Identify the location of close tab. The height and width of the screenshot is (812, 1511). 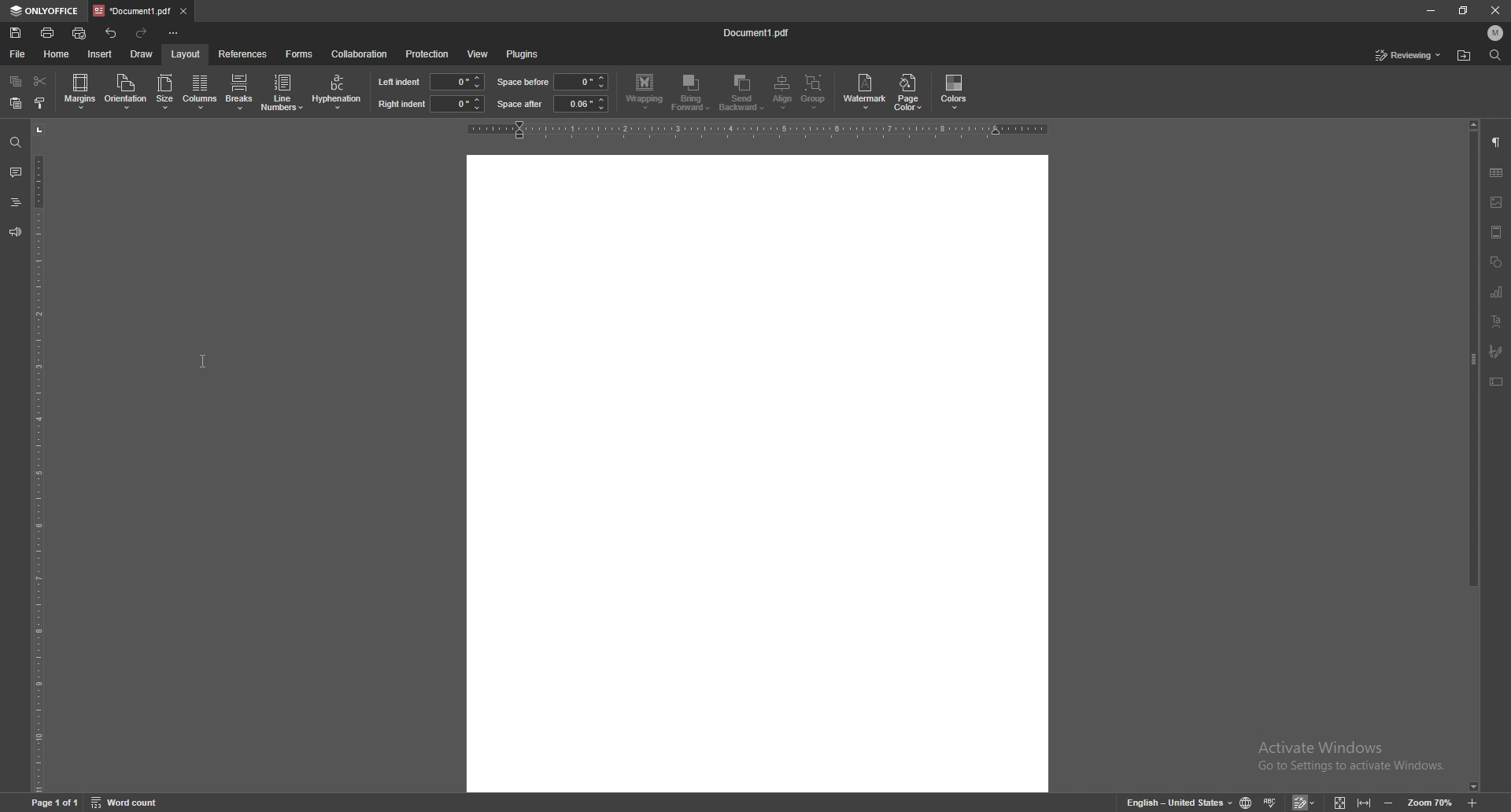
(183, 10).